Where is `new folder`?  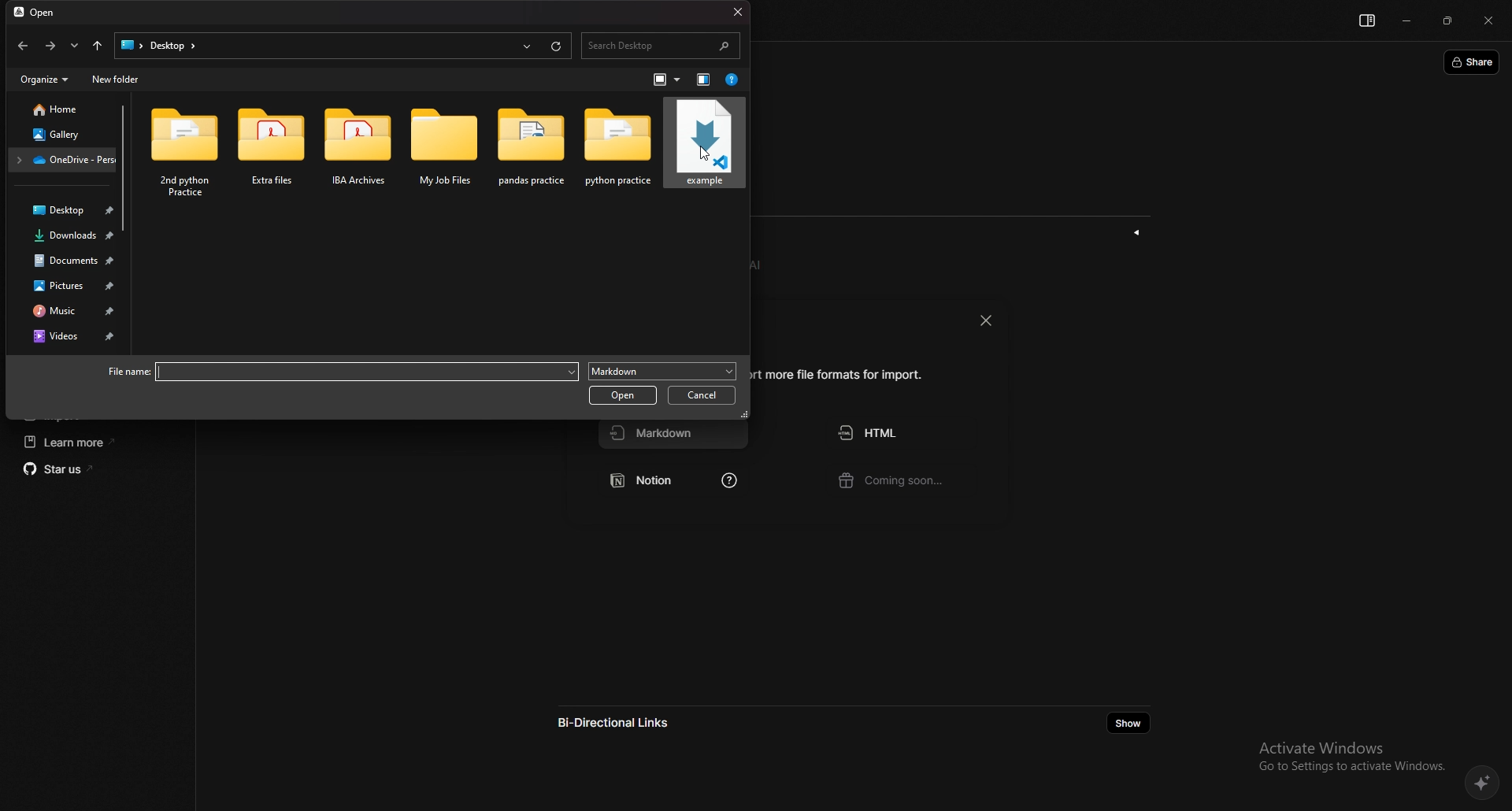
new folder is located at coordinates (117, 80).